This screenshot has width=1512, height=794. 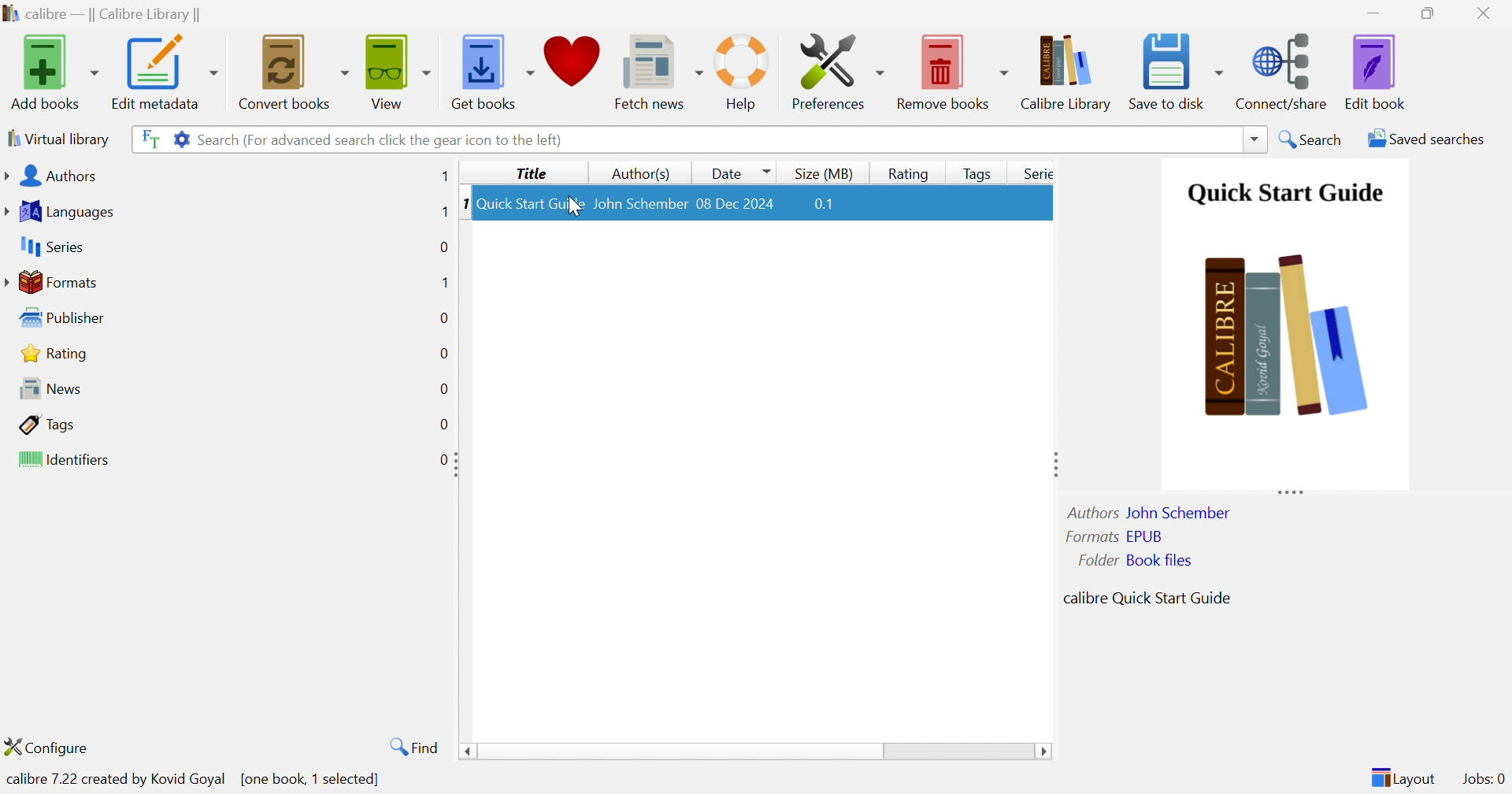 What do you see at coordinates (447, 421) in the screenshot?
I see `0` at bounding box center [447, 421].